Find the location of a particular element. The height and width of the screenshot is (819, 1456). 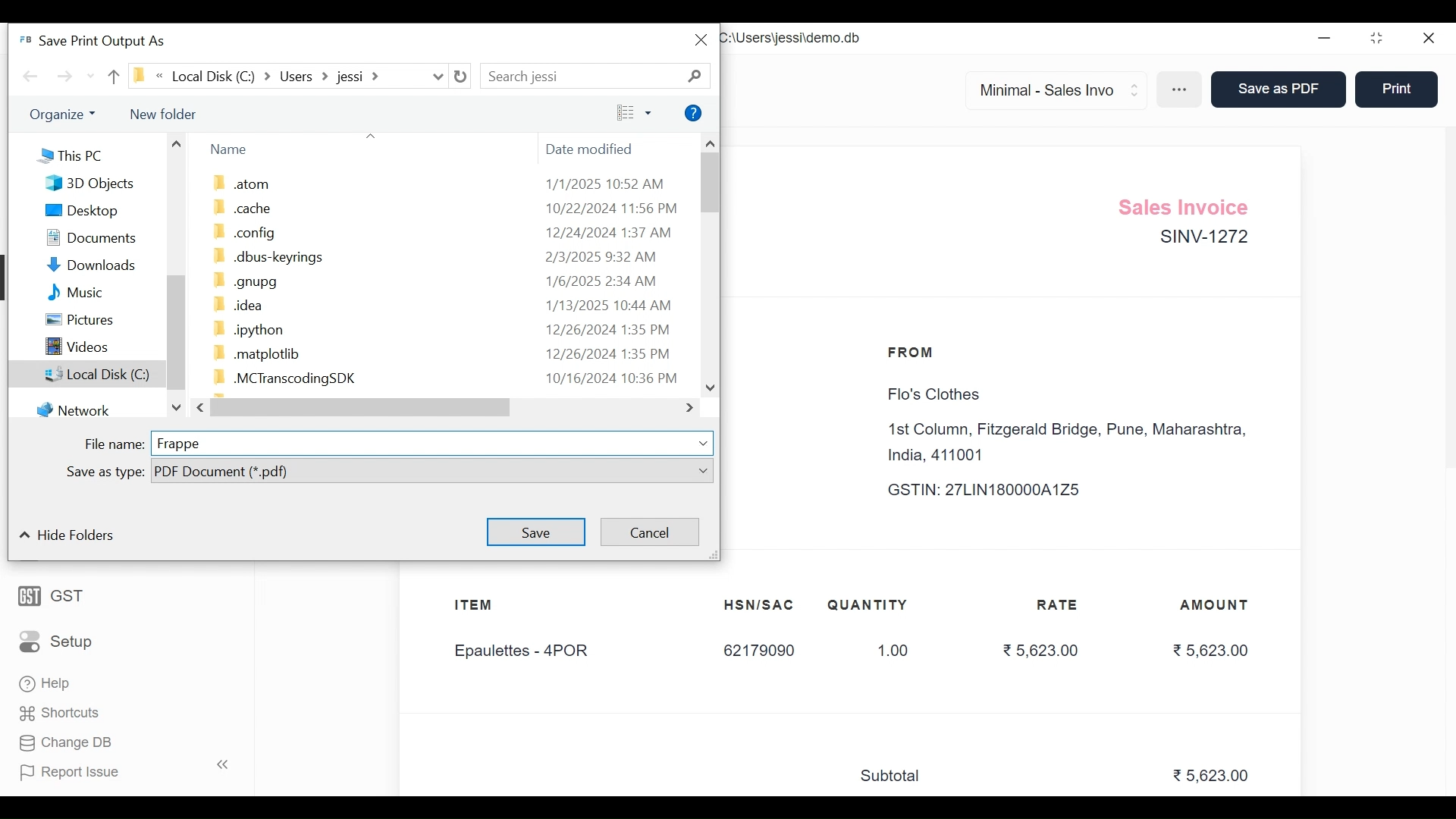

Search is located at coordinates (698, 74).